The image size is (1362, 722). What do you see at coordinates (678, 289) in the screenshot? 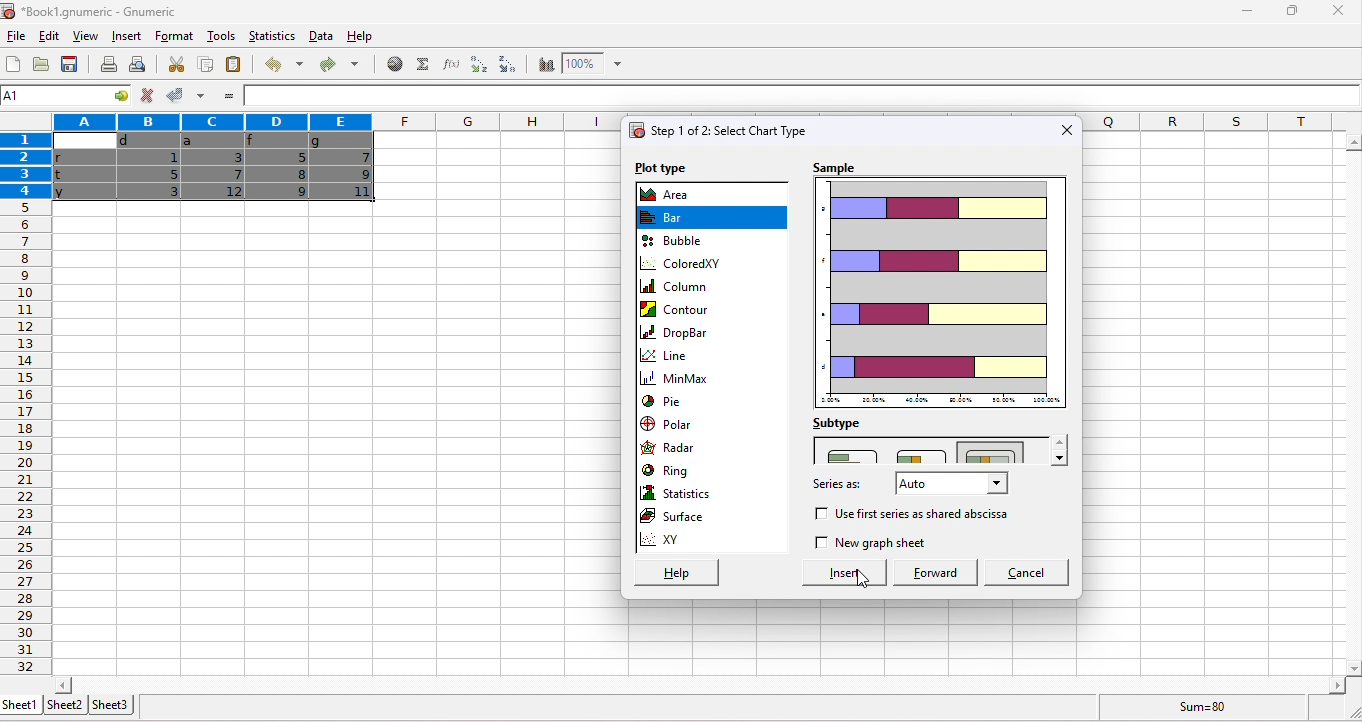
I see `column` at bounding box center [678, 289].